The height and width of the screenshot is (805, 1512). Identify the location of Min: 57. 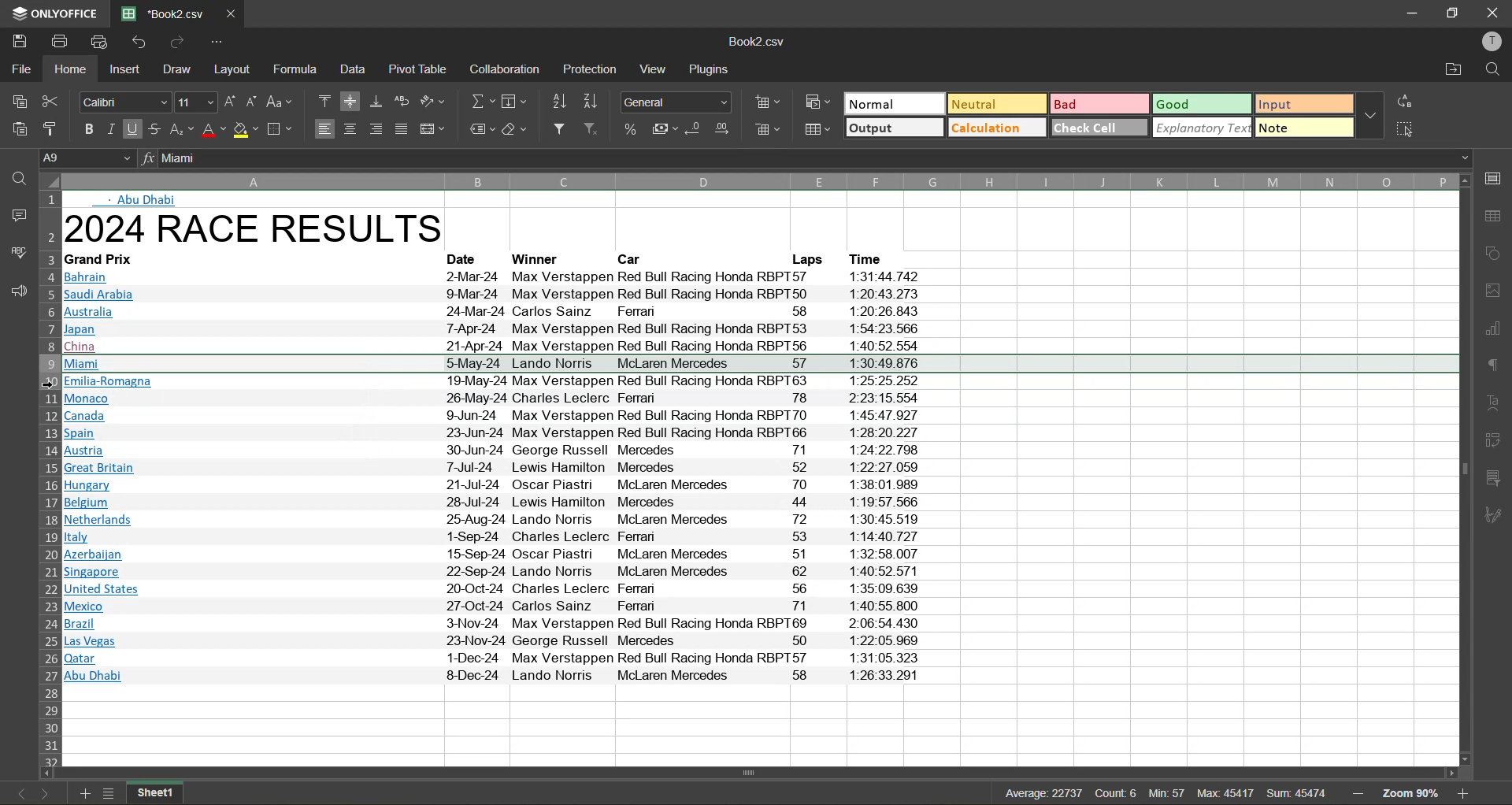
(1169, 793).